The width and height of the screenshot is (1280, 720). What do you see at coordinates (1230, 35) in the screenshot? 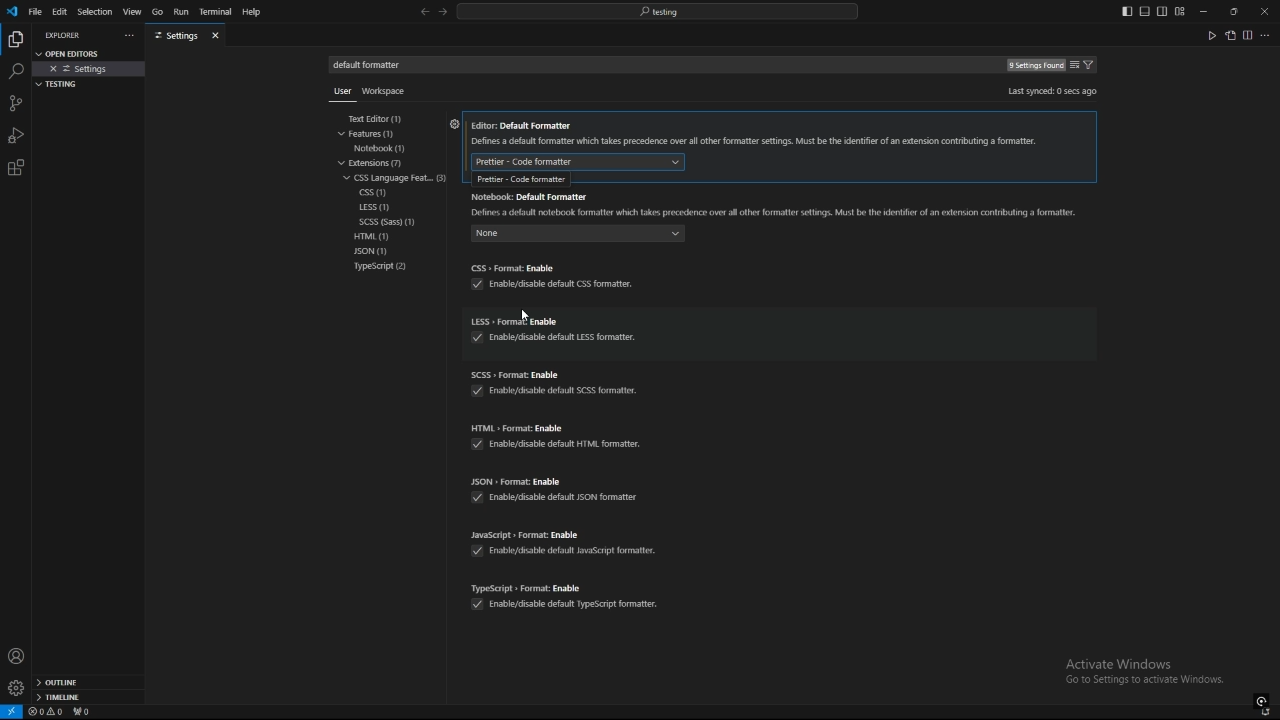
I see `open settings` at bounding box center [1230, 35].